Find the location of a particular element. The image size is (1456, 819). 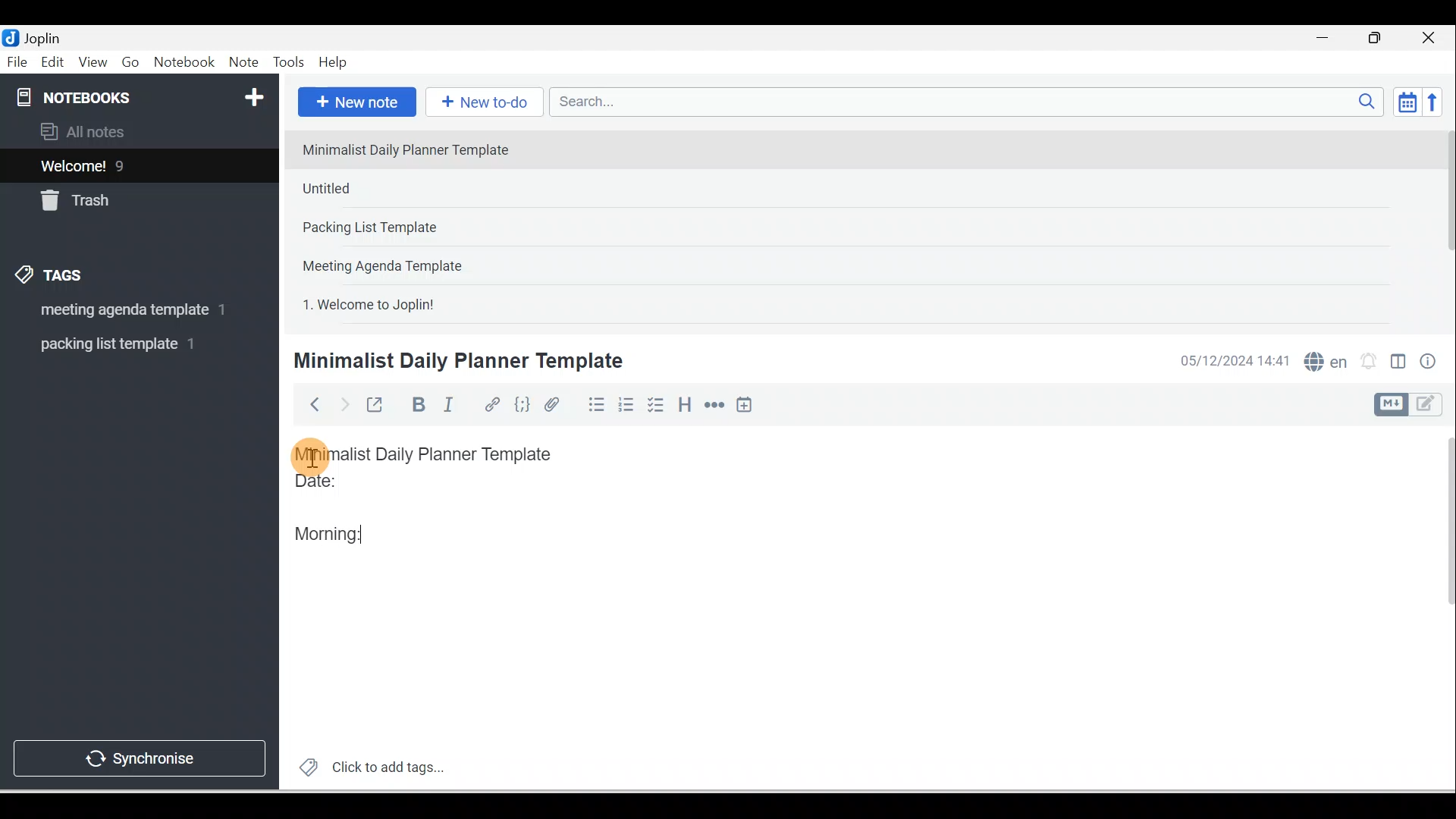

Minimise is located at coordinates (1327, 39).